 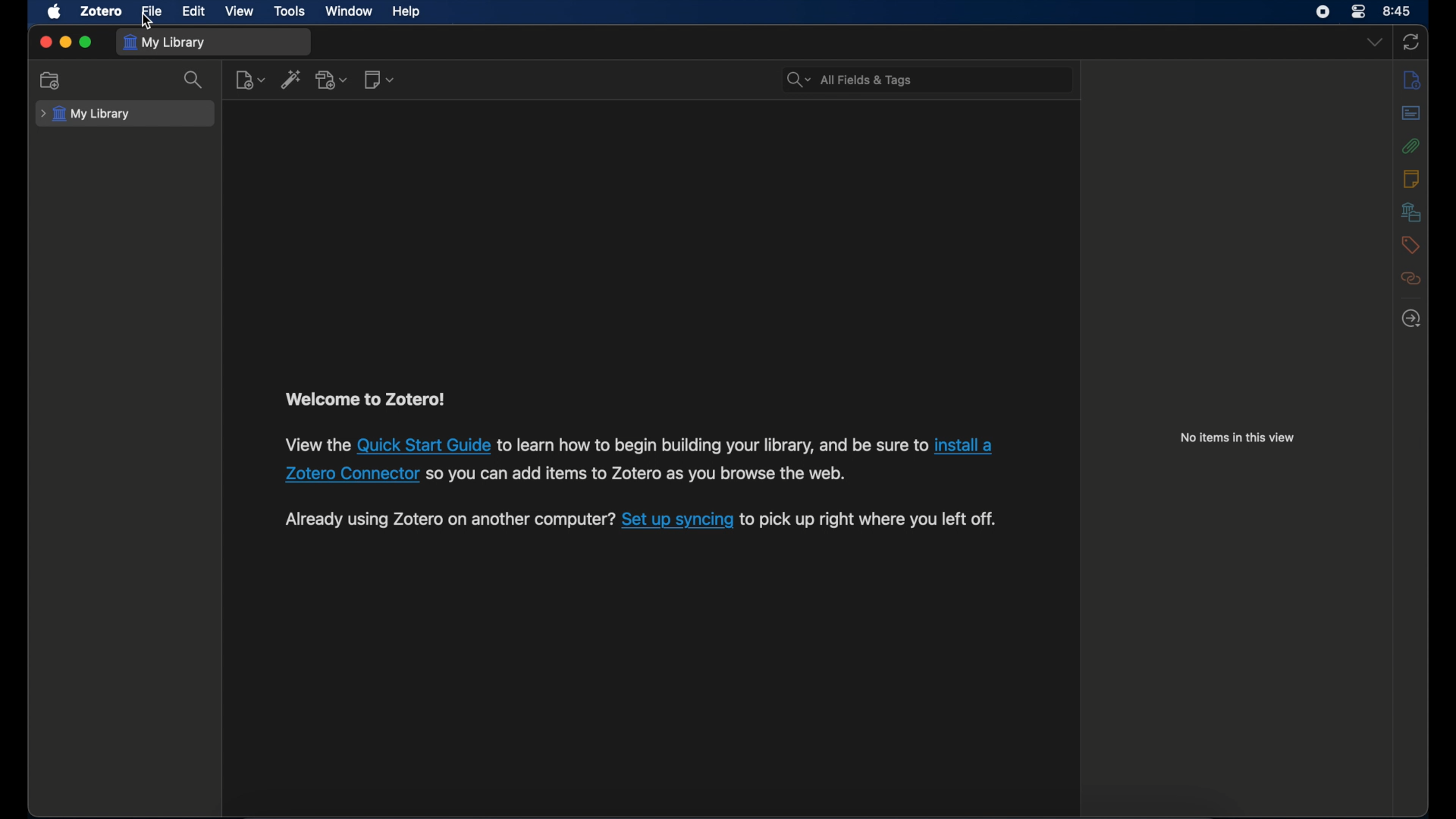 What do you see at coordinates (290, 11) in the screenshot?
I see `tools` at bounding box center [290, 11].